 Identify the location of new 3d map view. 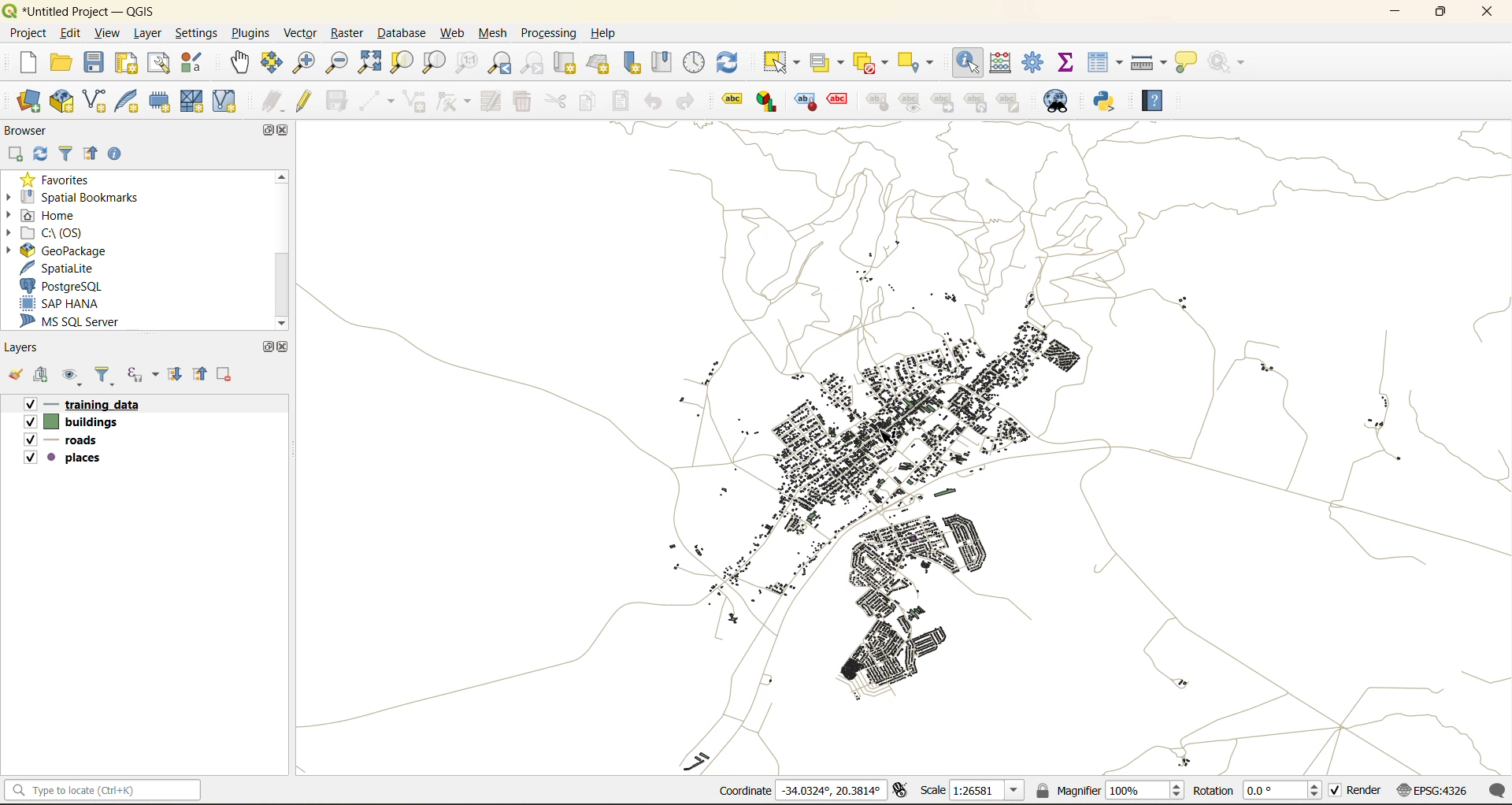
(599, 63).